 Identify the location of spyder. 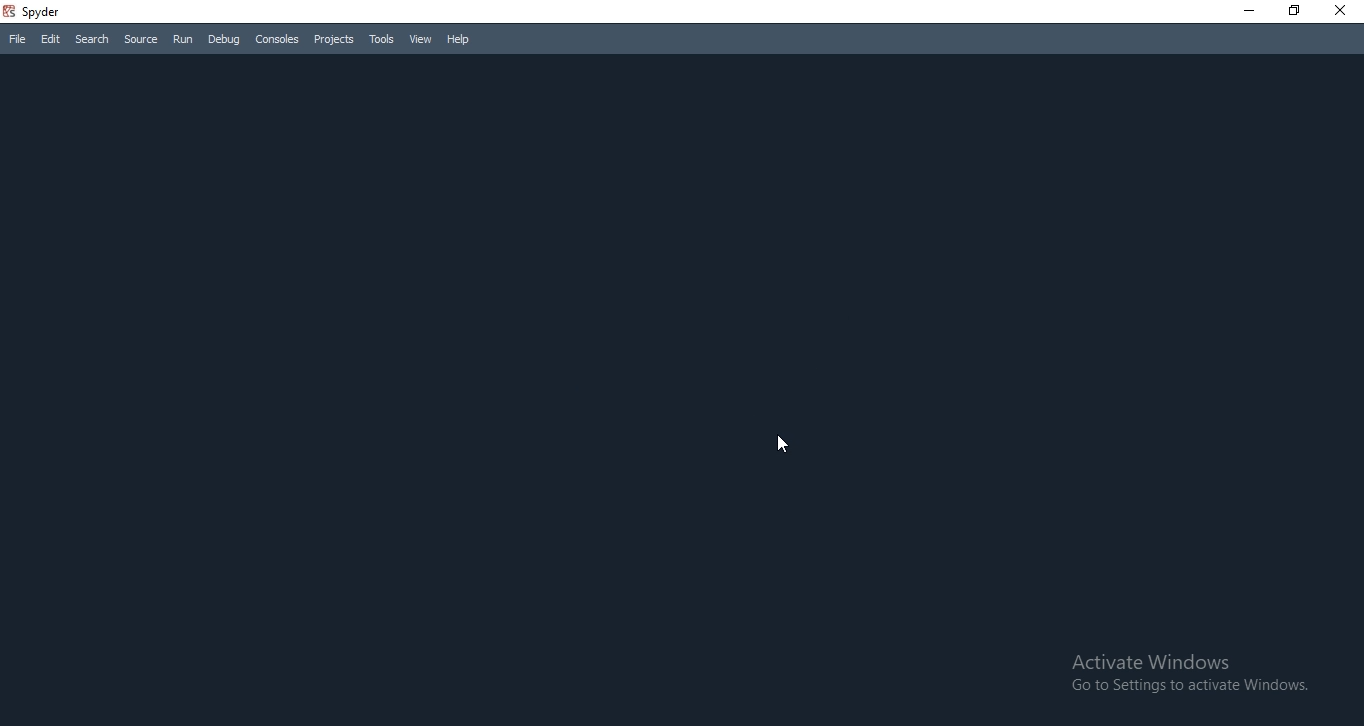
(46, 11).